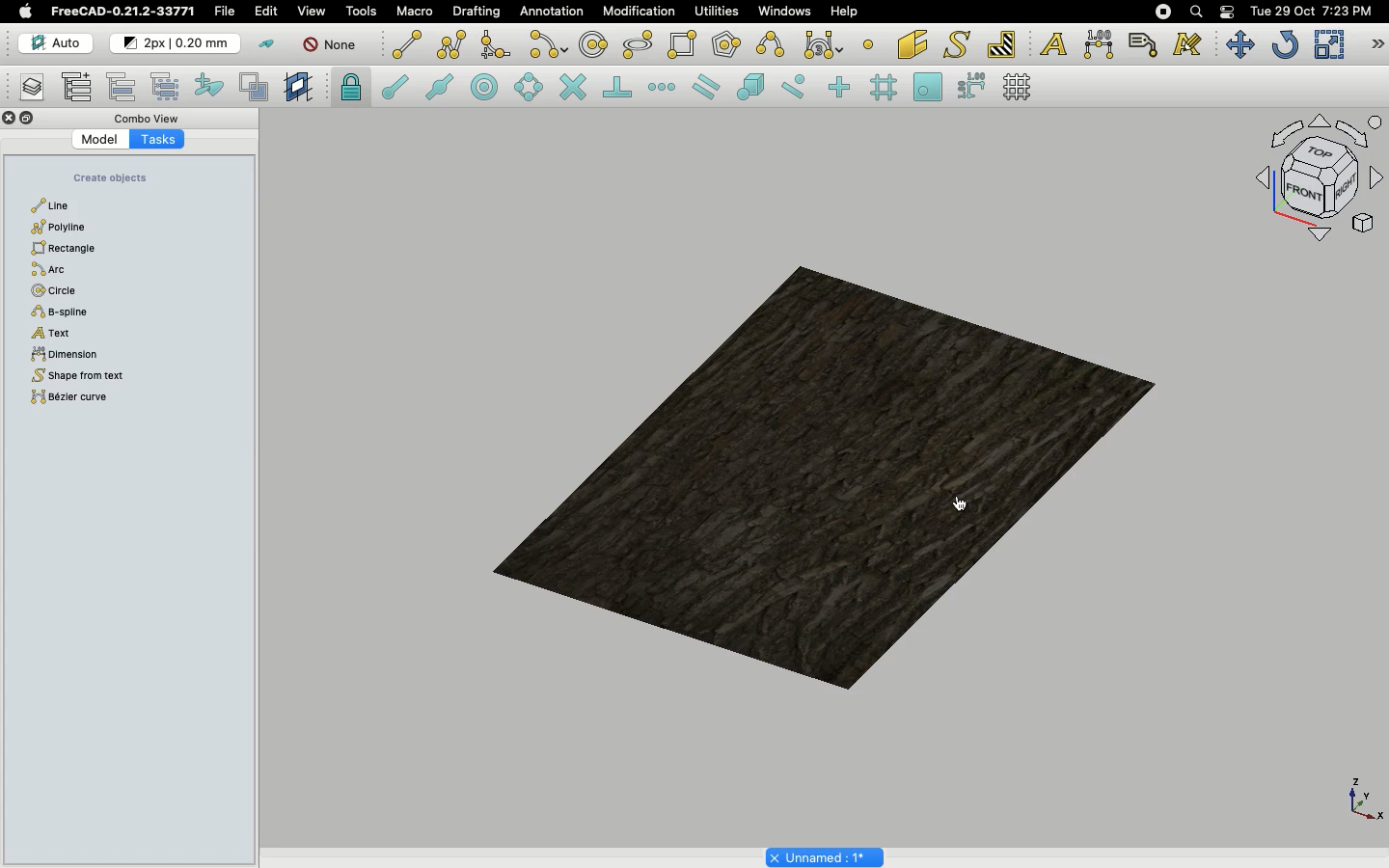  I want to click on Macro, so click(416, 12).